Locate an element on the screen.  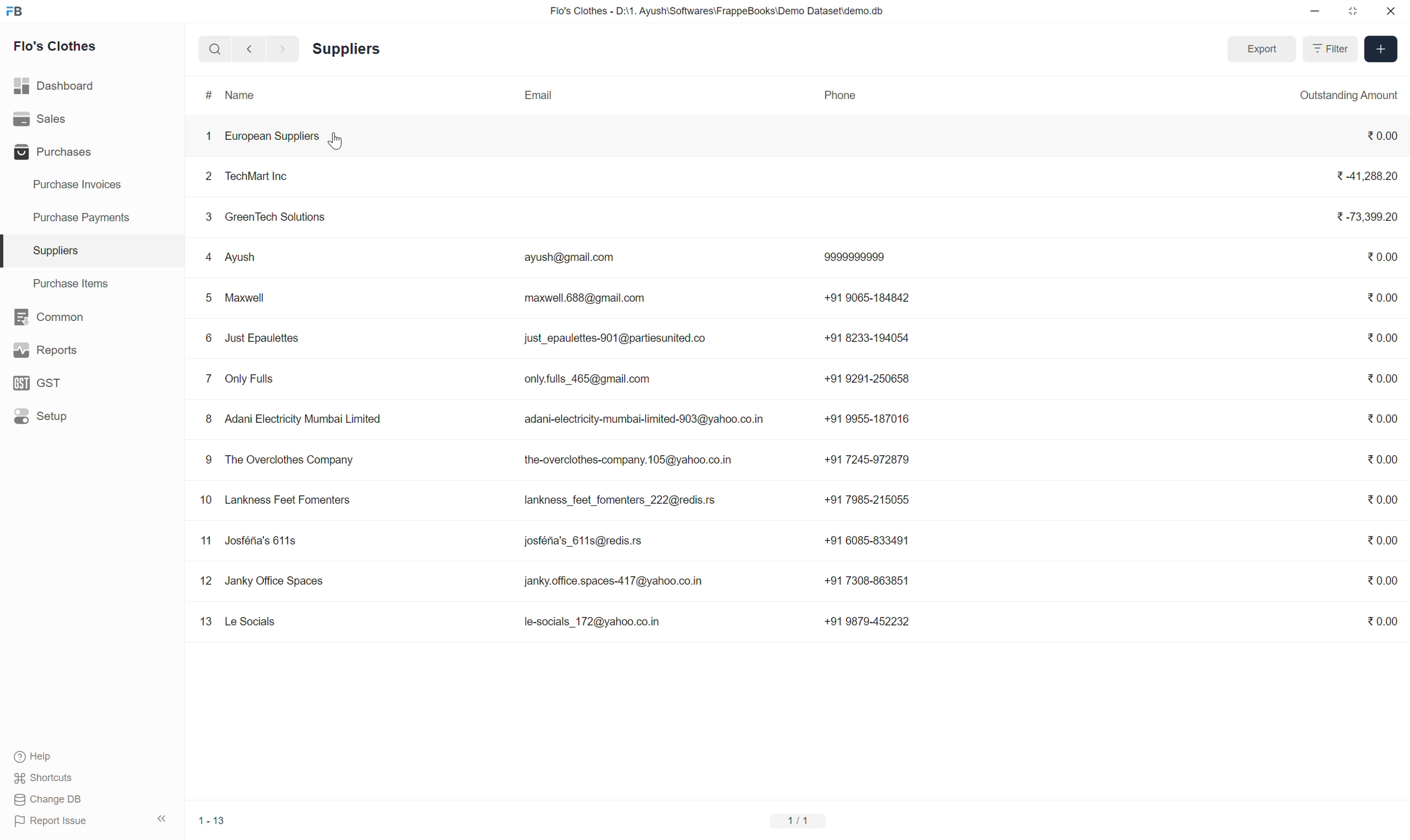
Reports is located at coordinates (41, 344).